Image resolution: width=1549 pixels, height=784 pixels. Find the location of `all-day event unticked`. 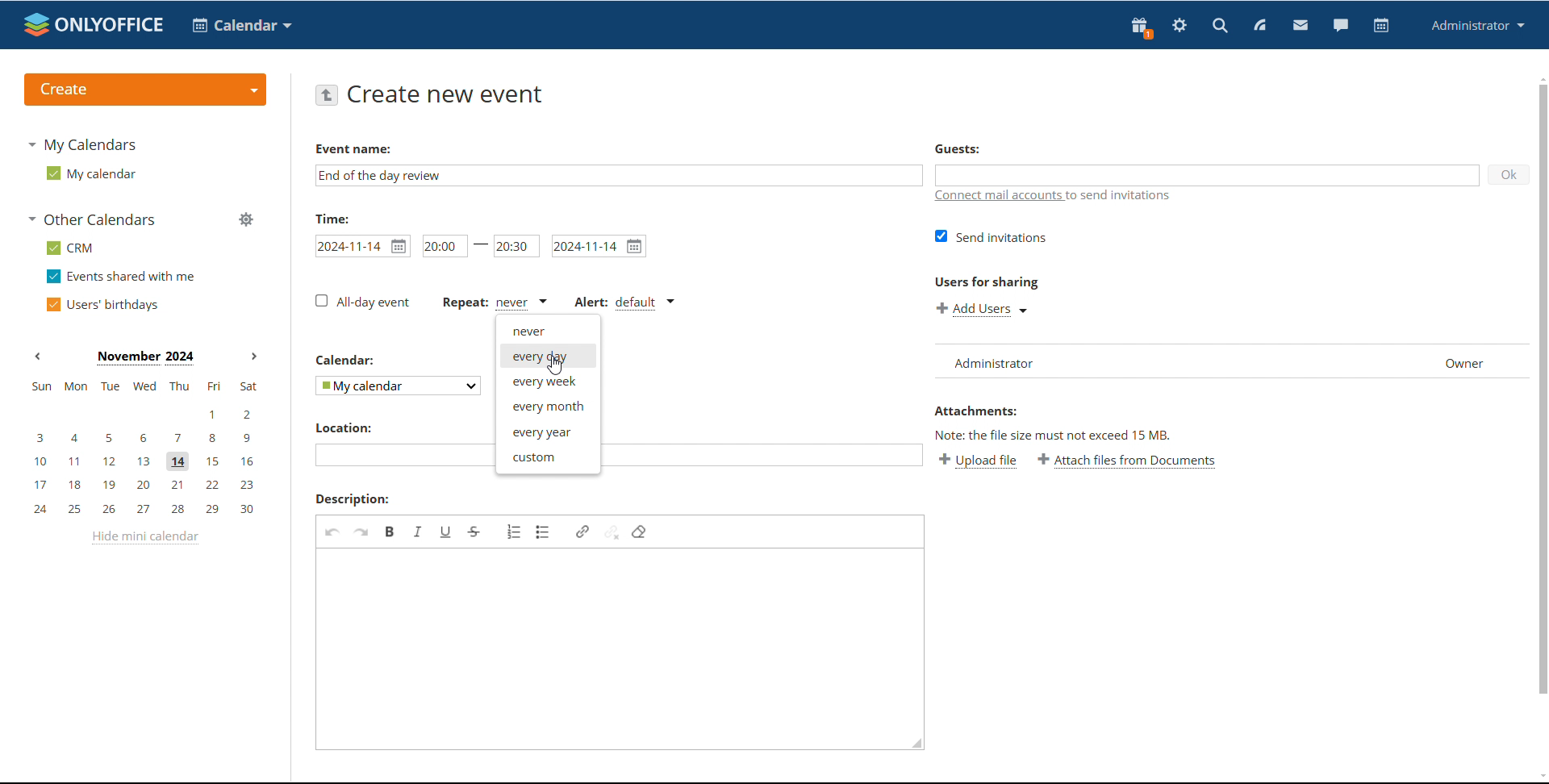

all-day event unticked is located at coordinates (361, 301).